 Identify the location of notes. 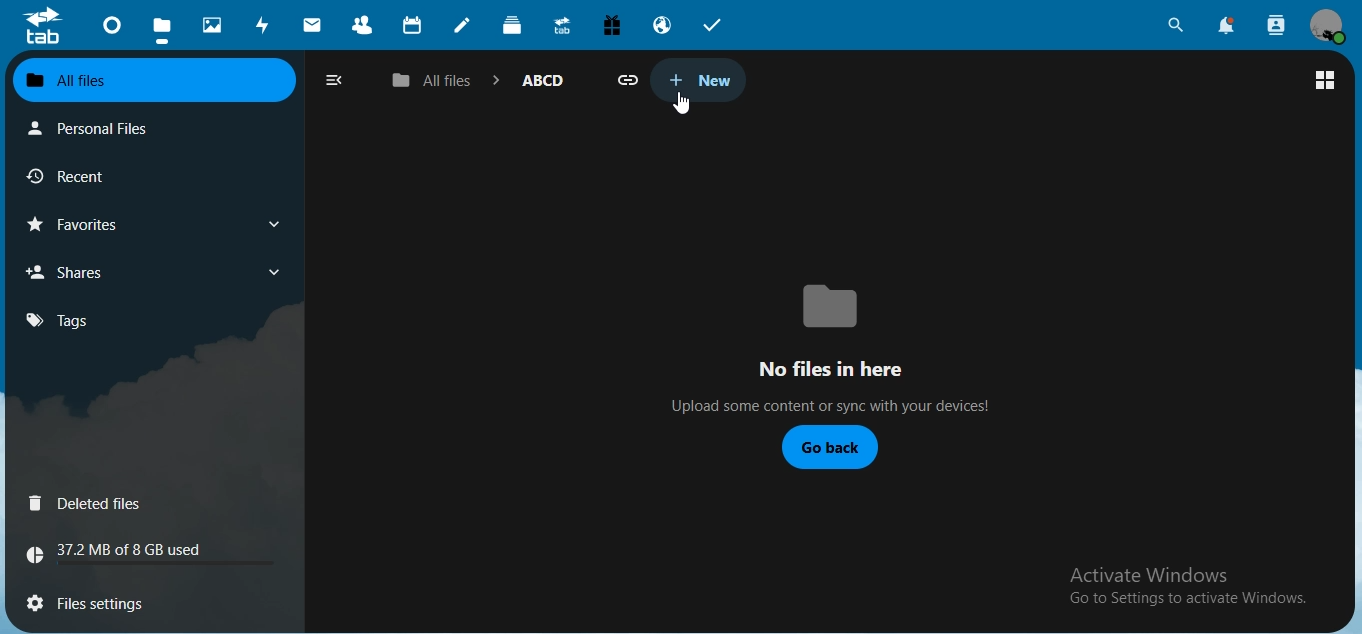
(463, 25).